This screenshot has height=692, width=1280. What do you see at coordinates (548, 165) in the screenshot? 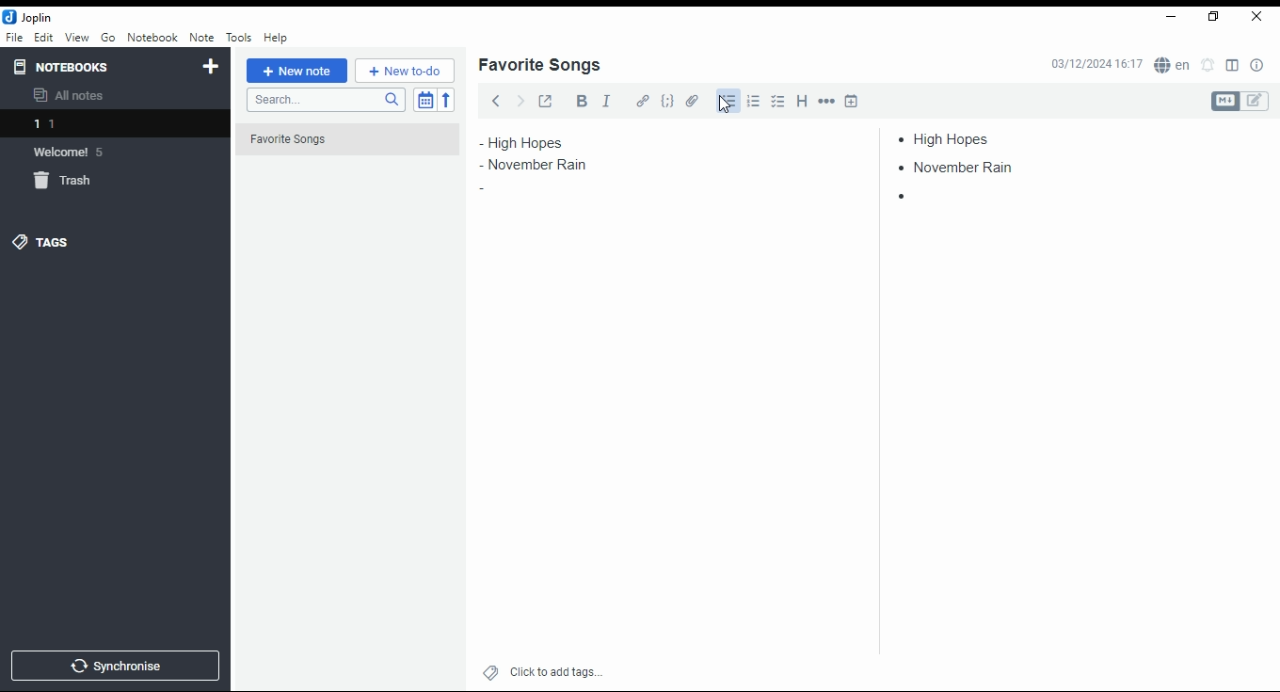
I see `november rain` at bounding box center [548, 165].